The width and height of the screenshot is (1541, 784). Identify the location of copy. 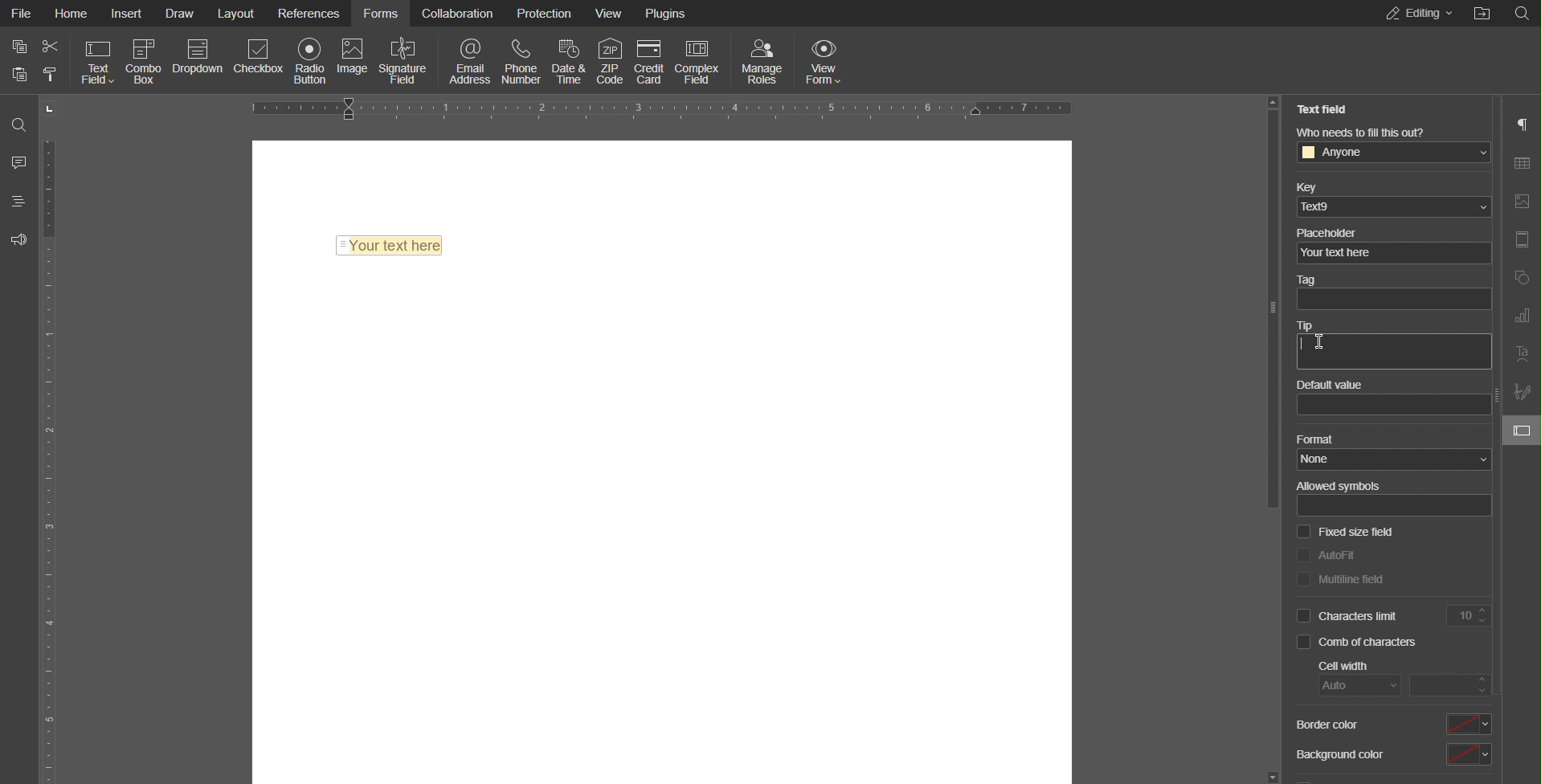
(21, 47).